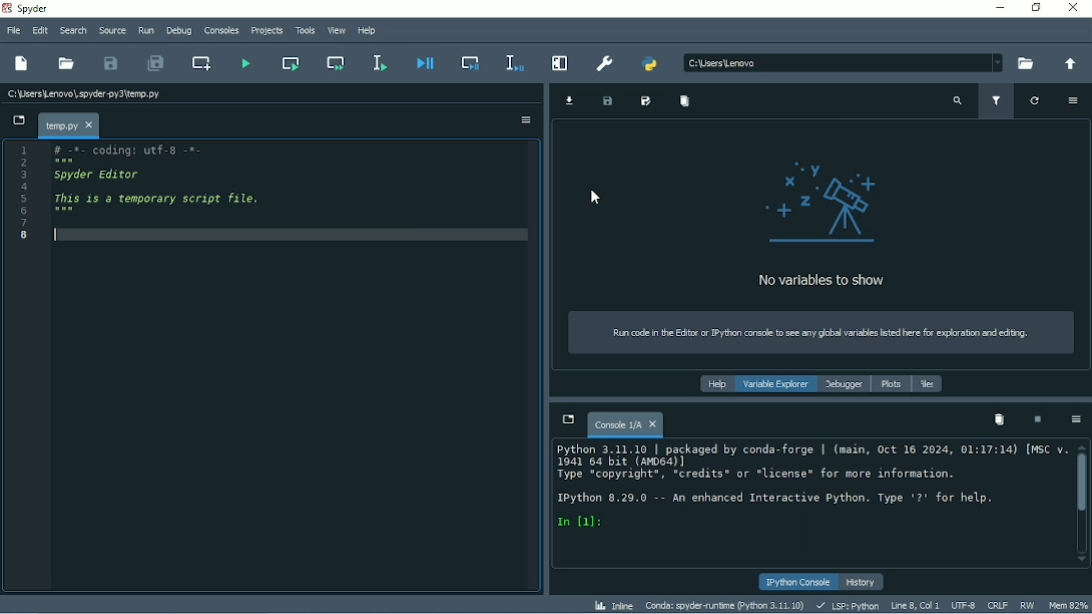  Describe the element at coordinates (292, 63) in the screenshot. I see `Run current cell` at that location.